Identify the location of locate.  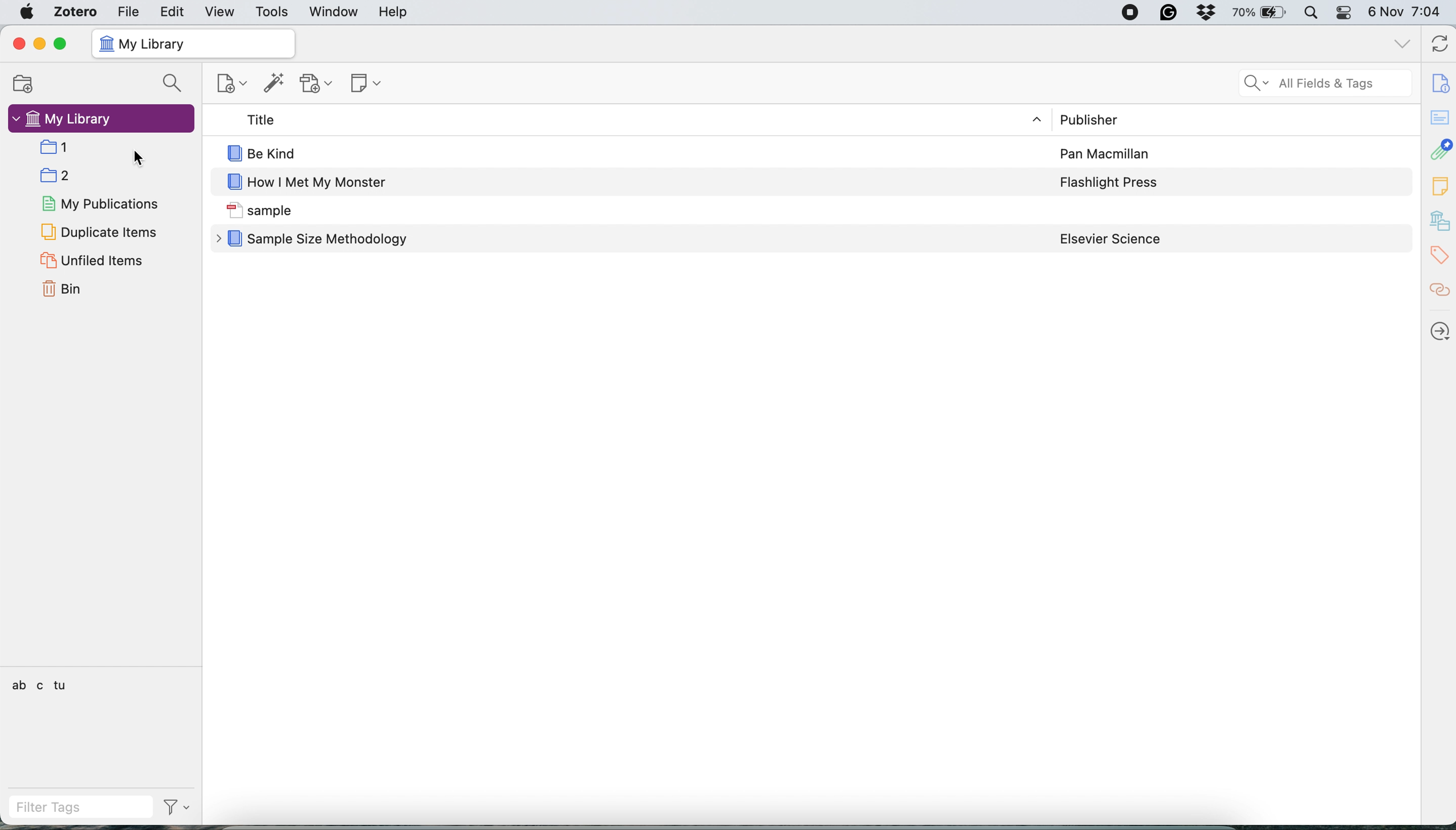
(1439, 333).